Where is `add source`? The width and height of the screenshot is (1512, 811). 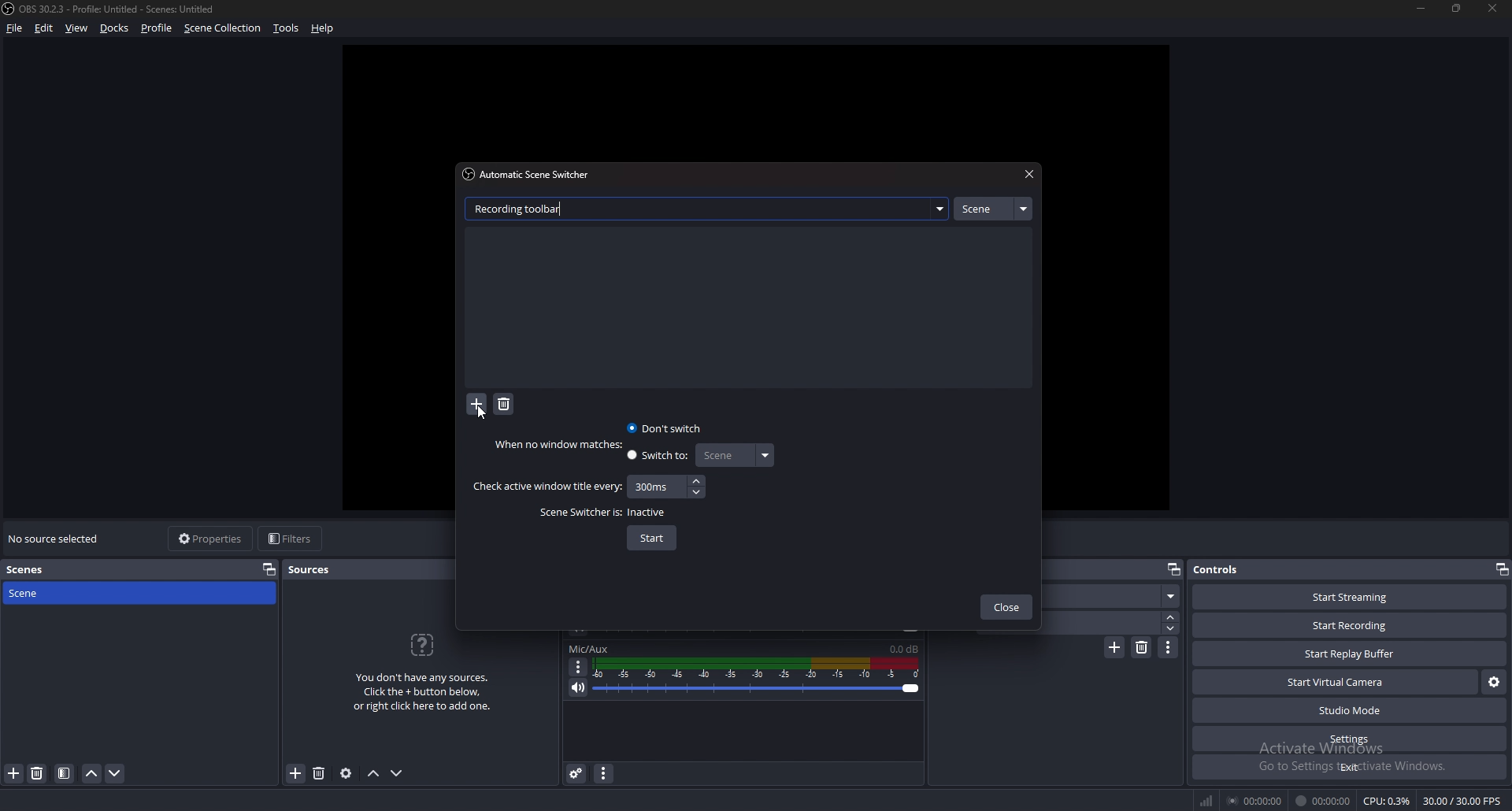
add source is located at coordinates (296, 774).